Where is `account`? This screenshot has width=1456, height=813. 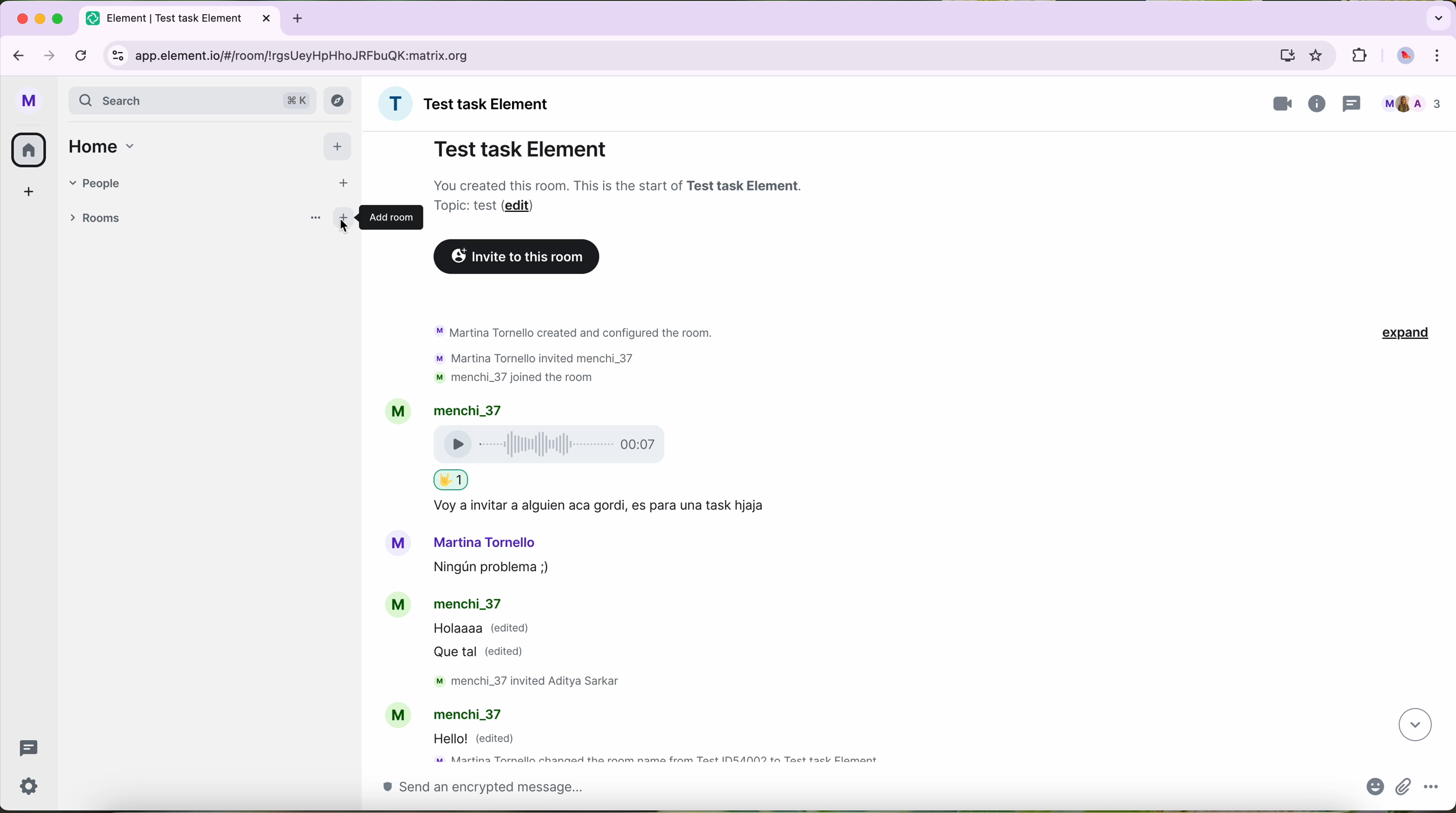
account is located at coordinates (456, 409).